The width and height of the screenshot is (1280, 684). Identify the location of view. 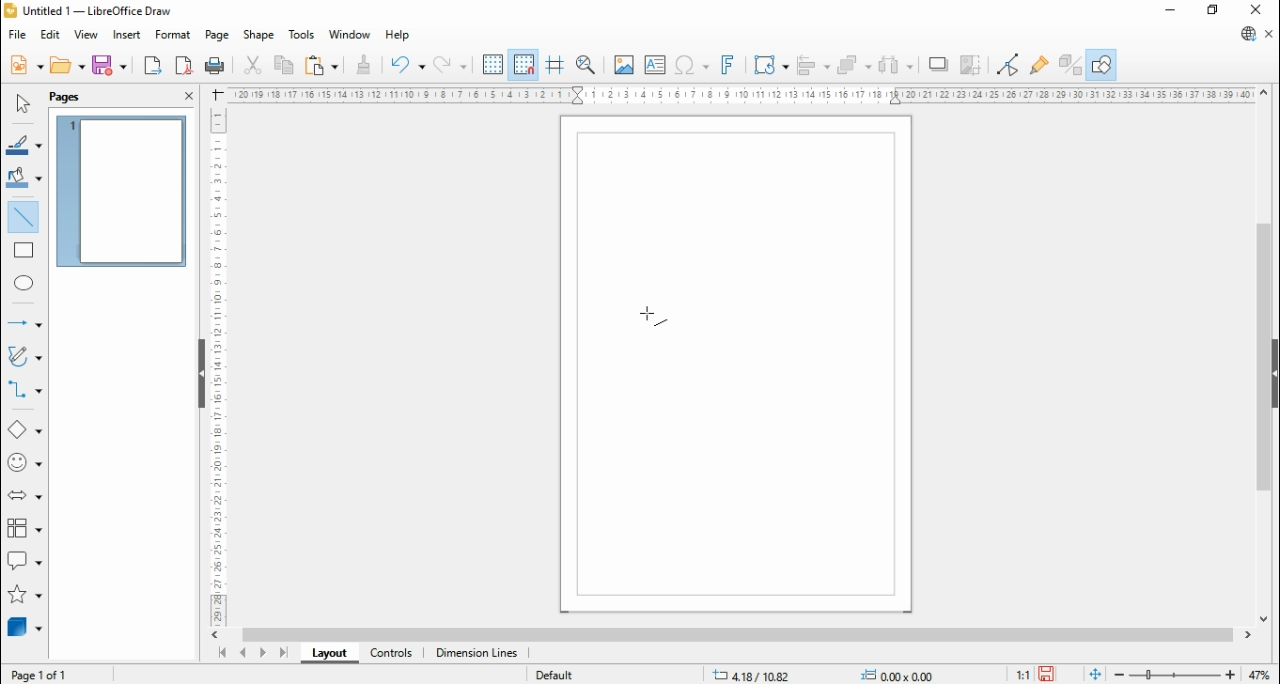
(86, 36).